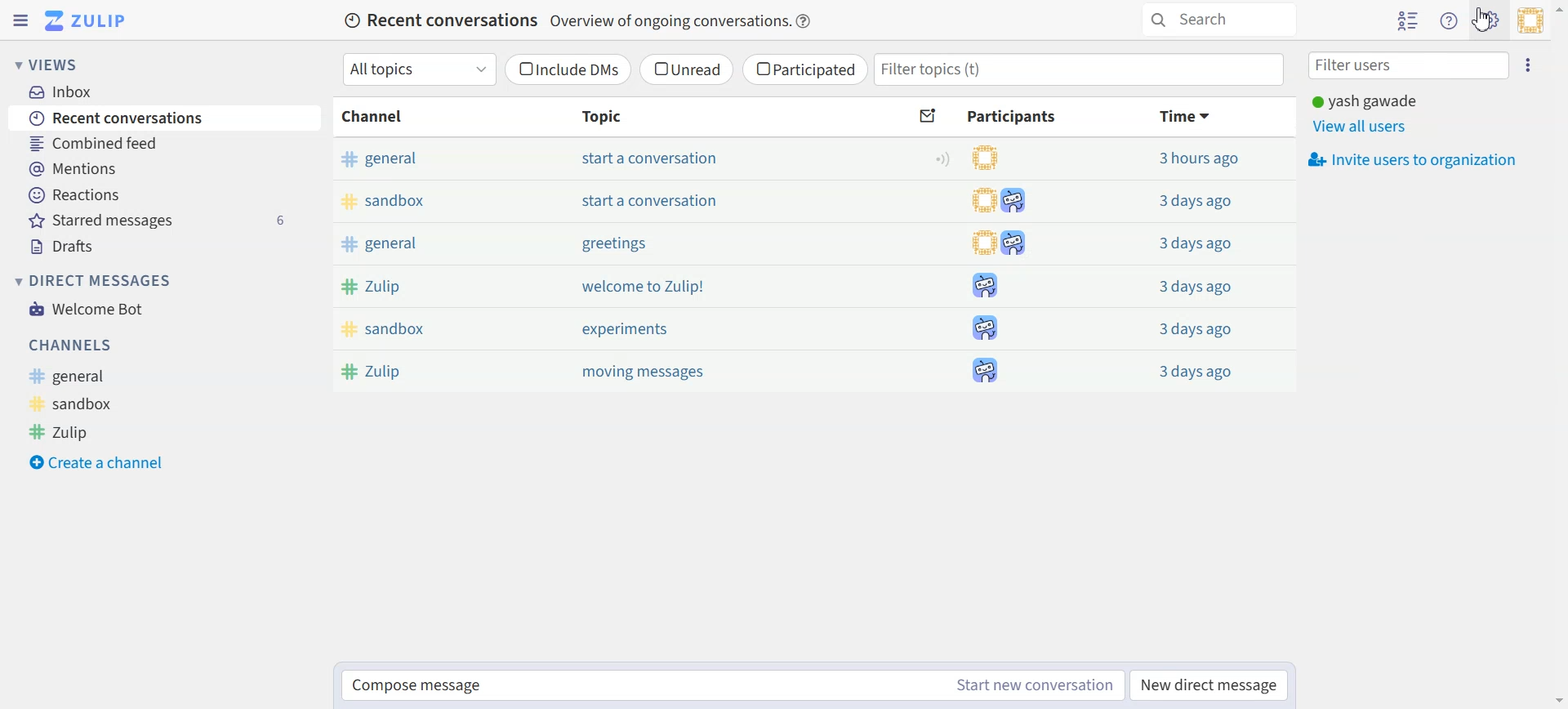  I want to click on Combined feed, so click(96, 143).